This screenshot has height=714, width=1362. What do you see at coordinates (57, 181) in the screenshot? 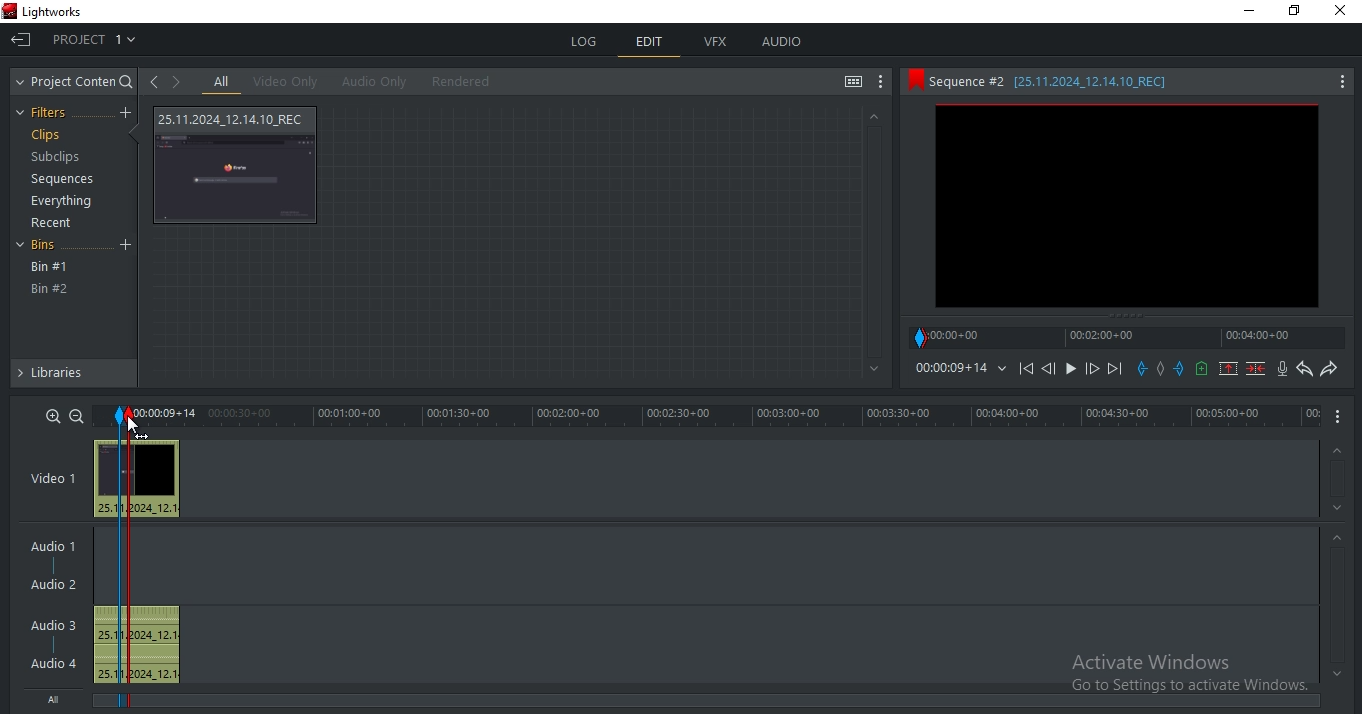
I see `sequences` at bounding box center [57, 181].